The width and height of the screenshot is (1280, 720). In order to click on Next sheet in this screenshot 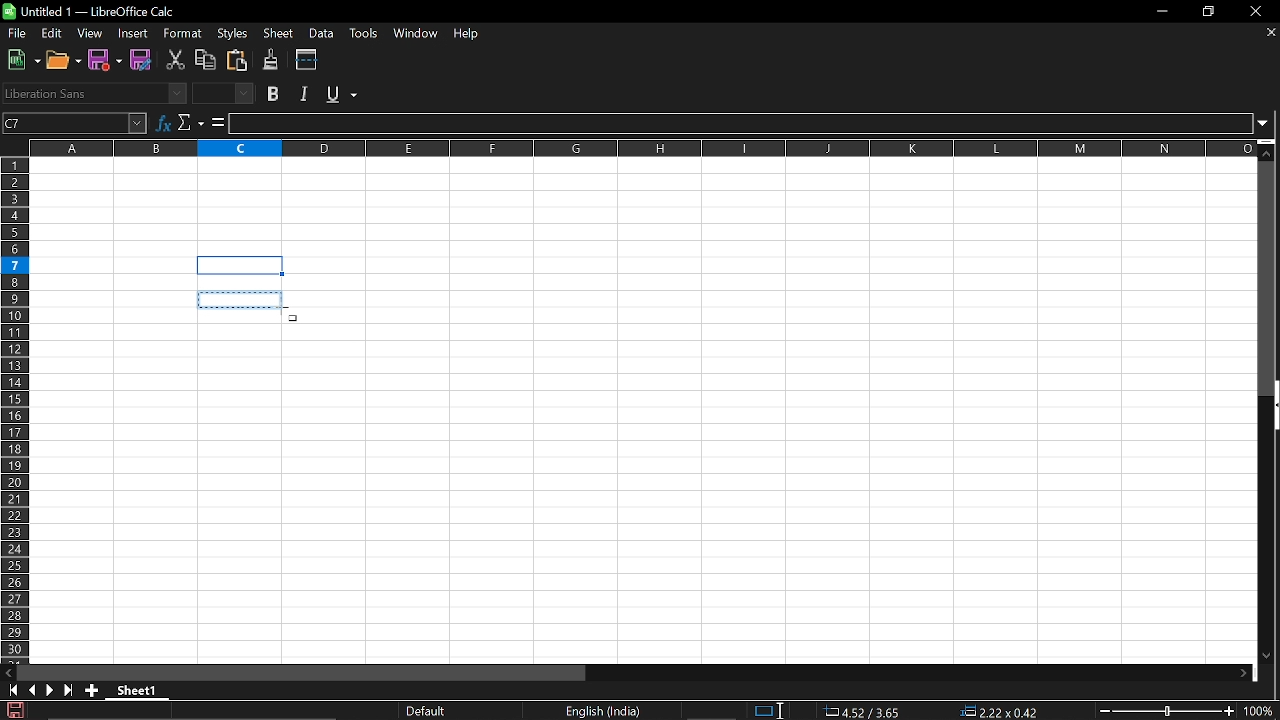, I will do `click(50, 690)`.